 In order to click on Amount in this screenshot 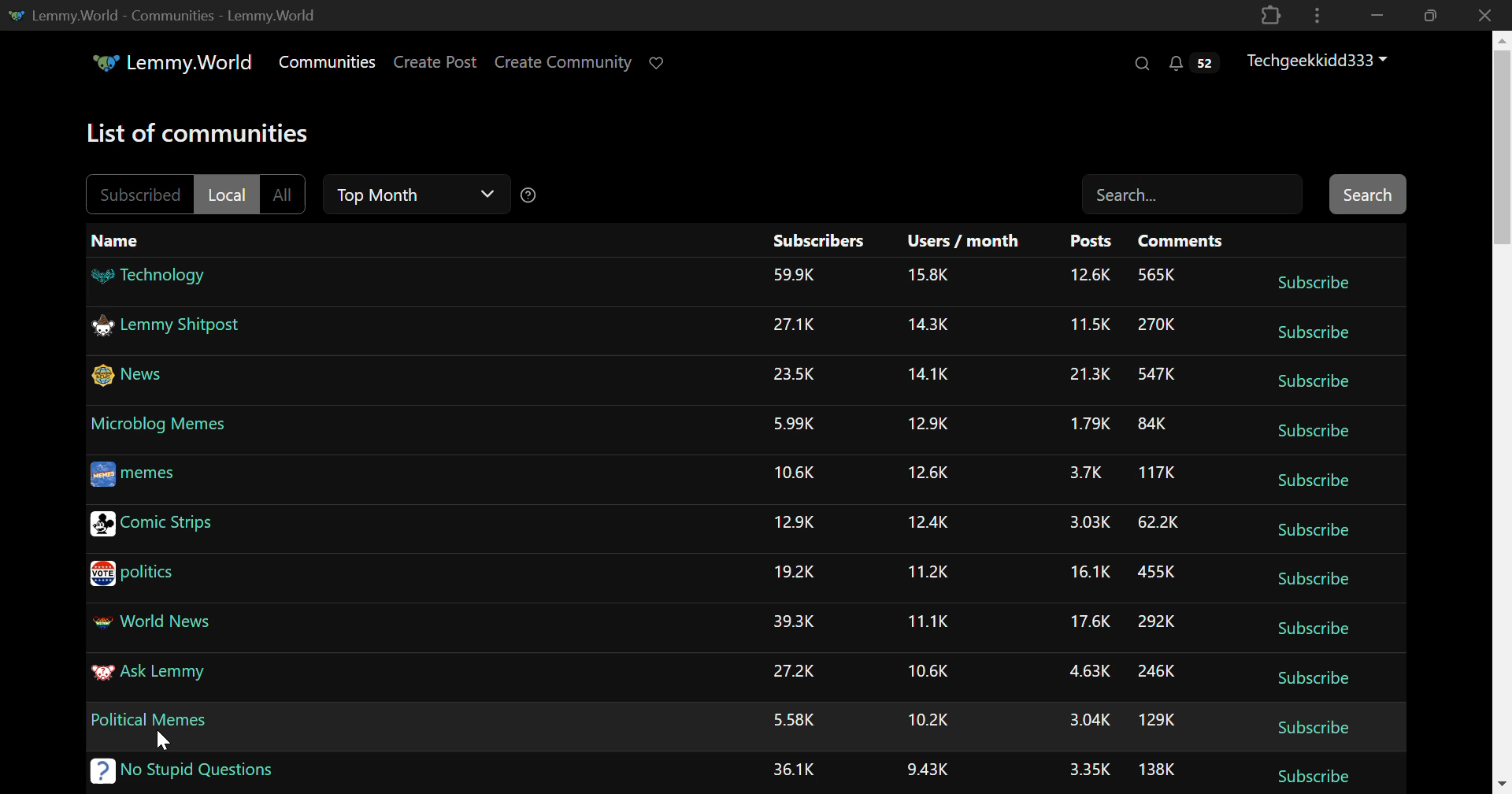, I will do `click(1157, 618)`.